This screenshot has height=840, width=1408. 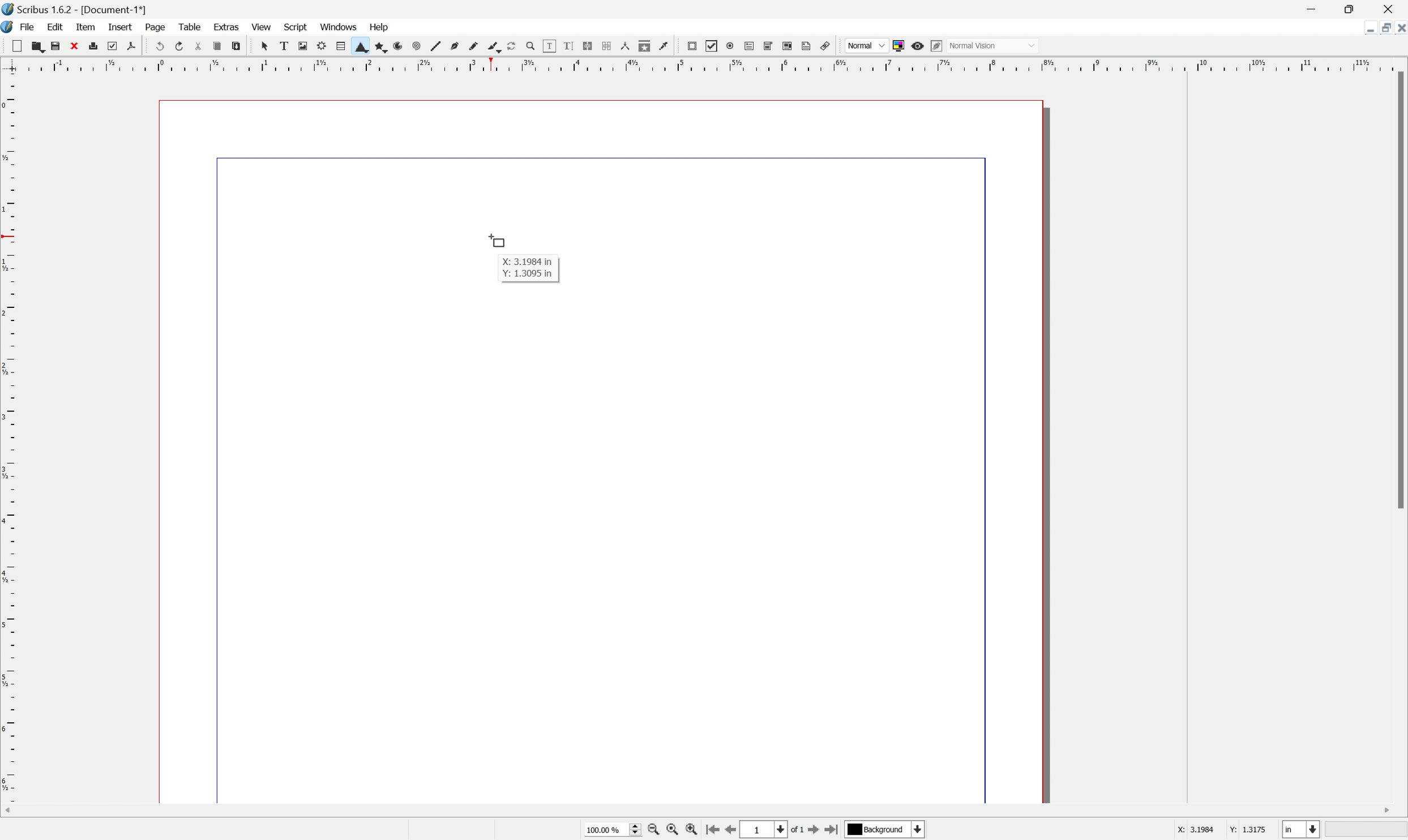 I want to click on PDF list box, so click(x=788, y=46).